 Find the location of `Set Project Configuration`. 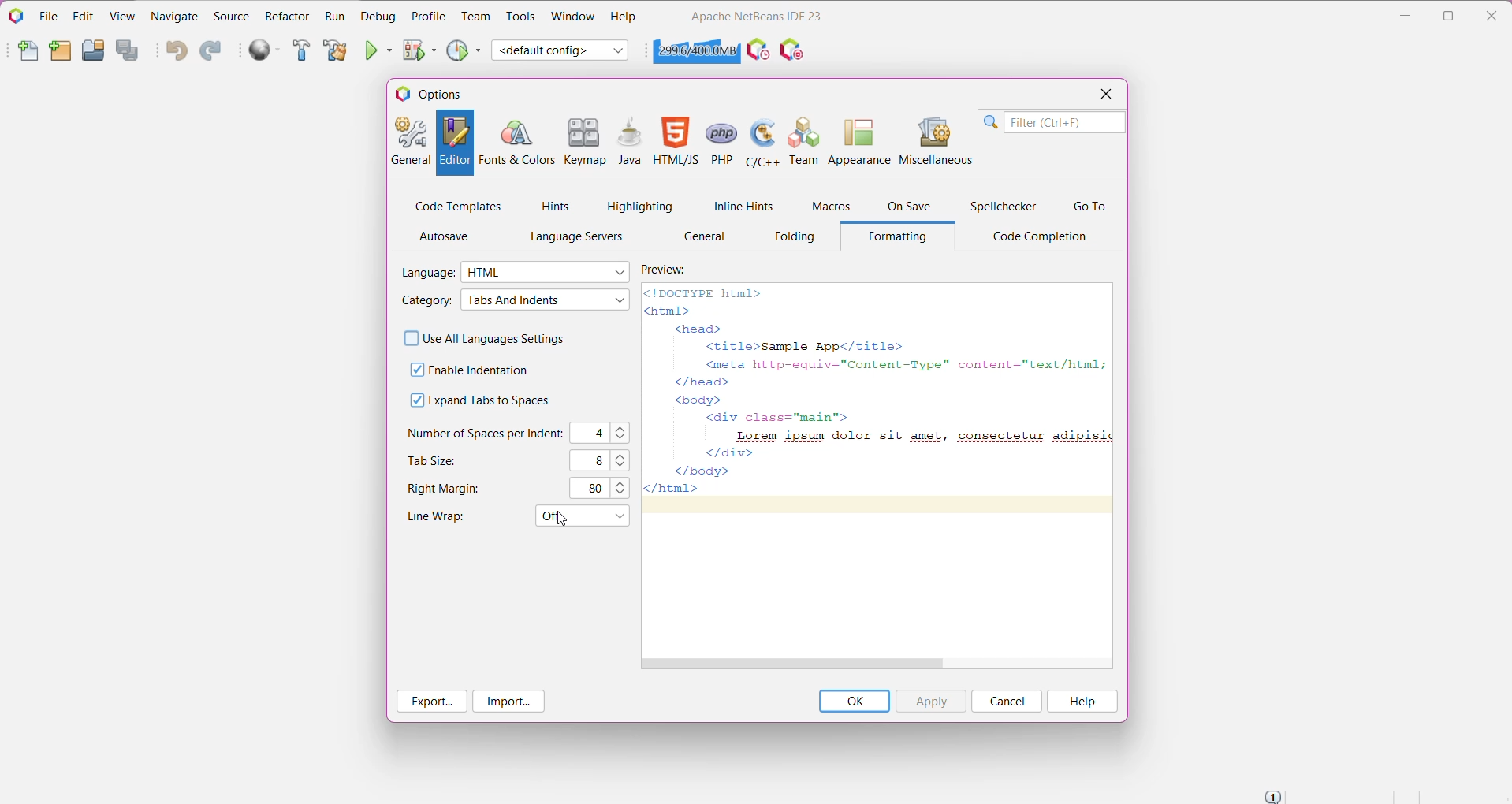

Set Project Configuration is located at coordinates (561, 50).